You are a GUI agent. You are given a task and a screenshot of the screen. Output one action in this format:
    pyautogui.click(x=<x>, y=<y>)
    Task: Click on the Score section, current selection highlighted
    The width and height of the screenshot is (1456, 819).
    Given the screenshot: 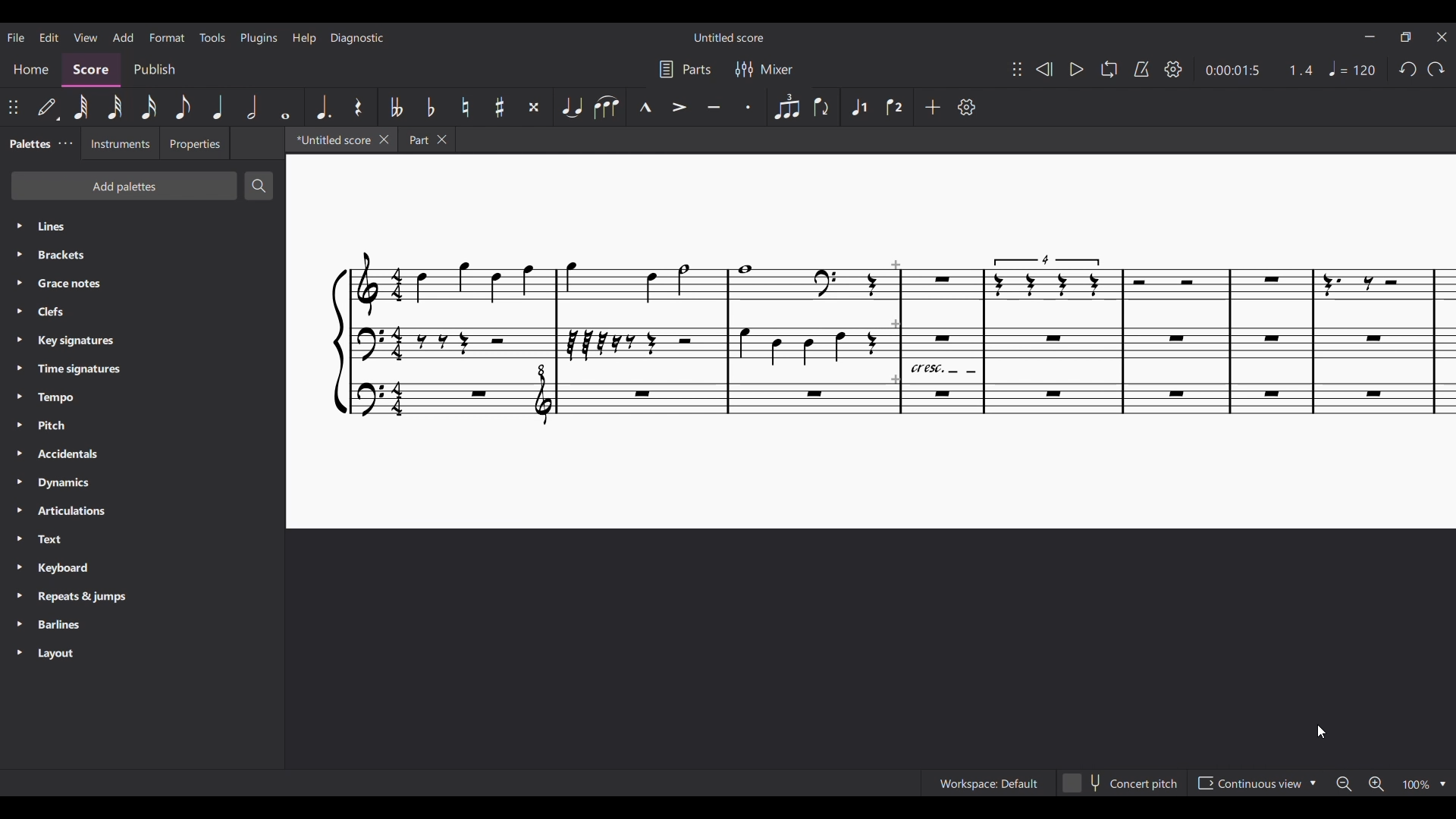 What is the action you would take?
    pyautogui.click(x=91, y=71)
    